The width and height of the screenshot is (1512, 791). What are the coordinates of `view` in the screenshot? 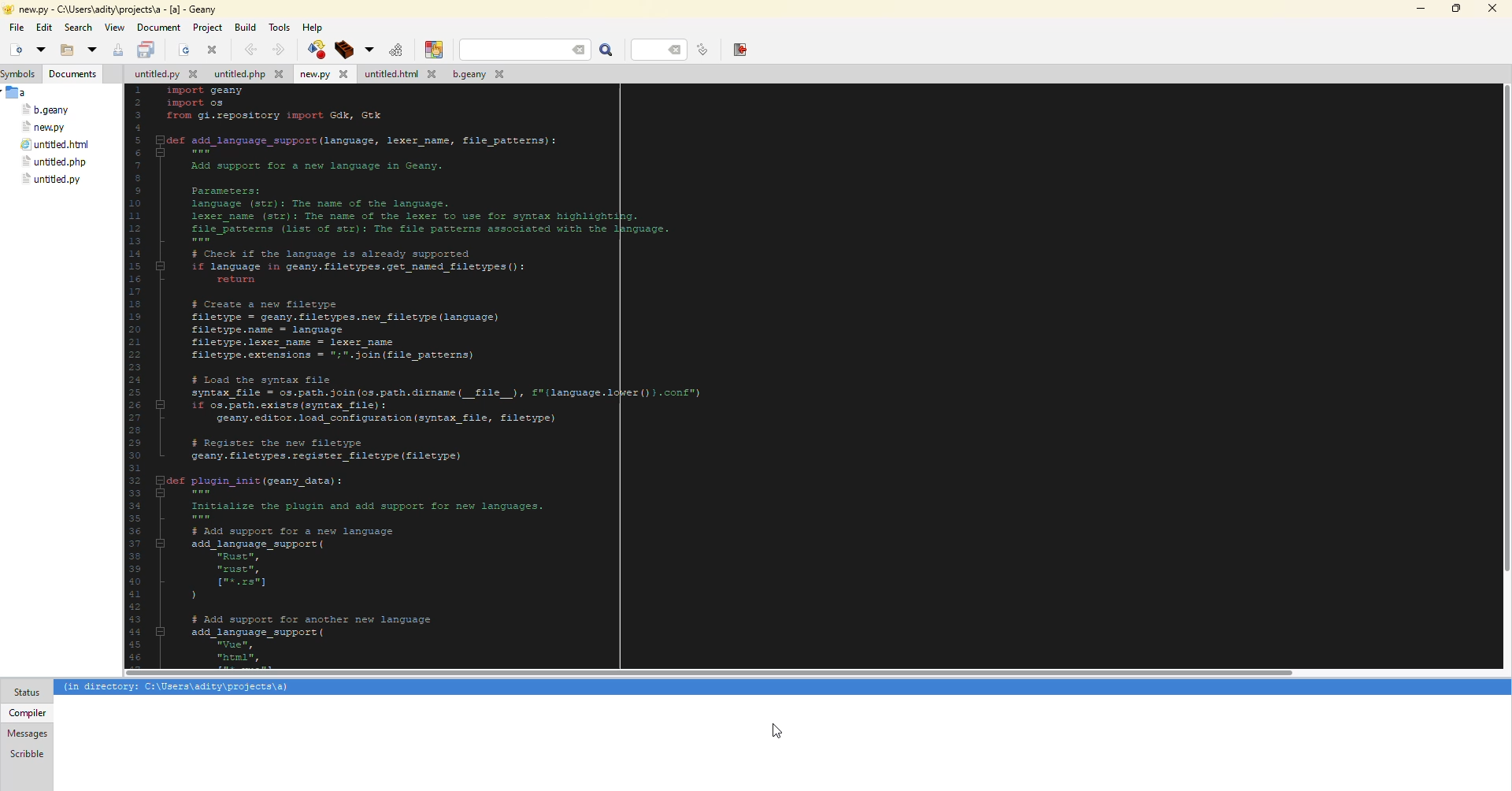 It's located at (114, 28).